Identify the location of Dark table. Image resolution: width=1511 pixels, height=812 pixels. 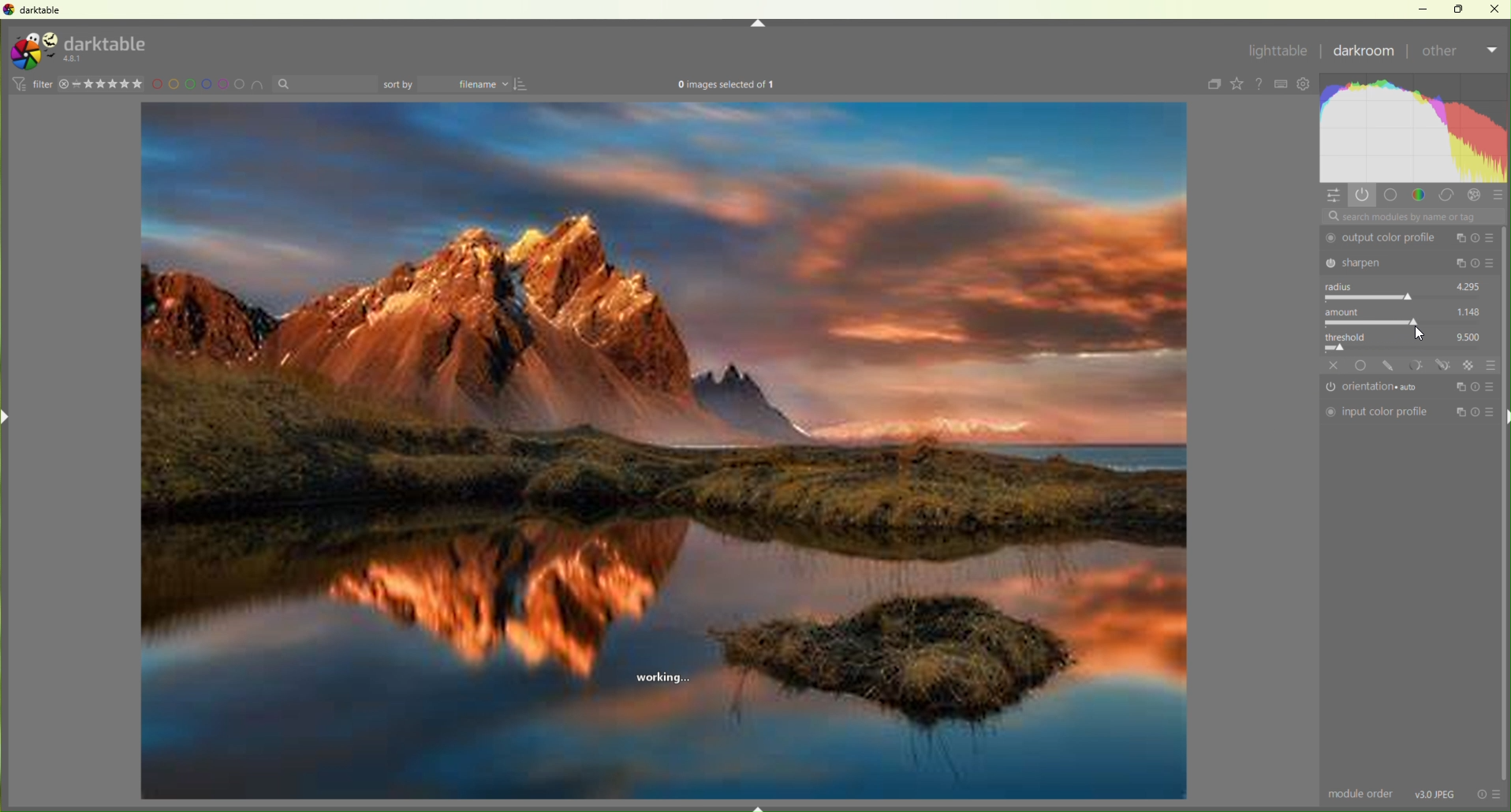
(44, 10).